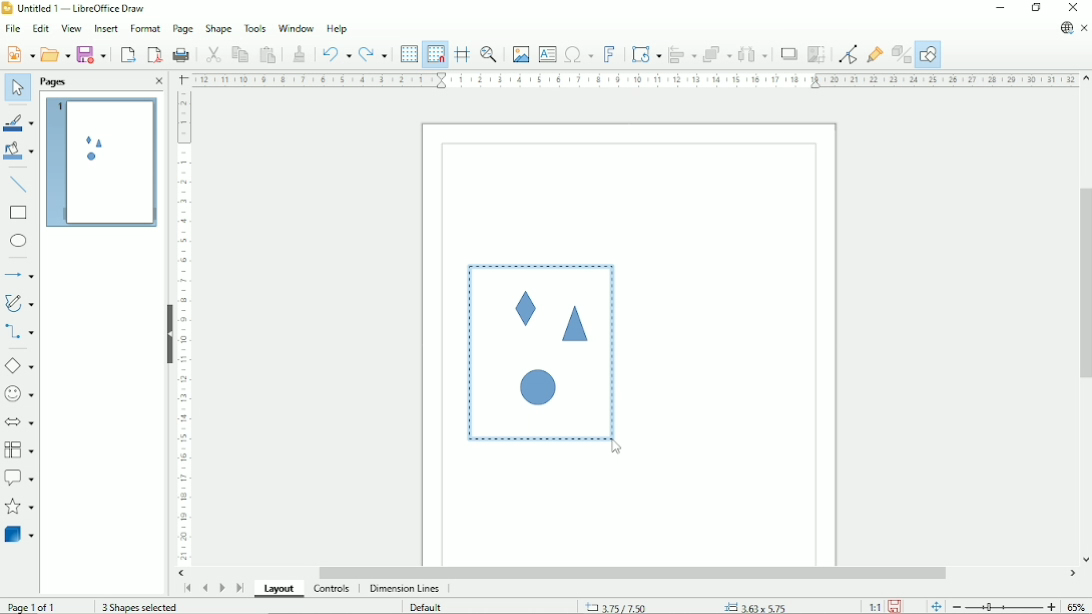  What do you see at coordinates (144, 27) in the screenshot?
I see `Format` at bounding box center [144, 27].